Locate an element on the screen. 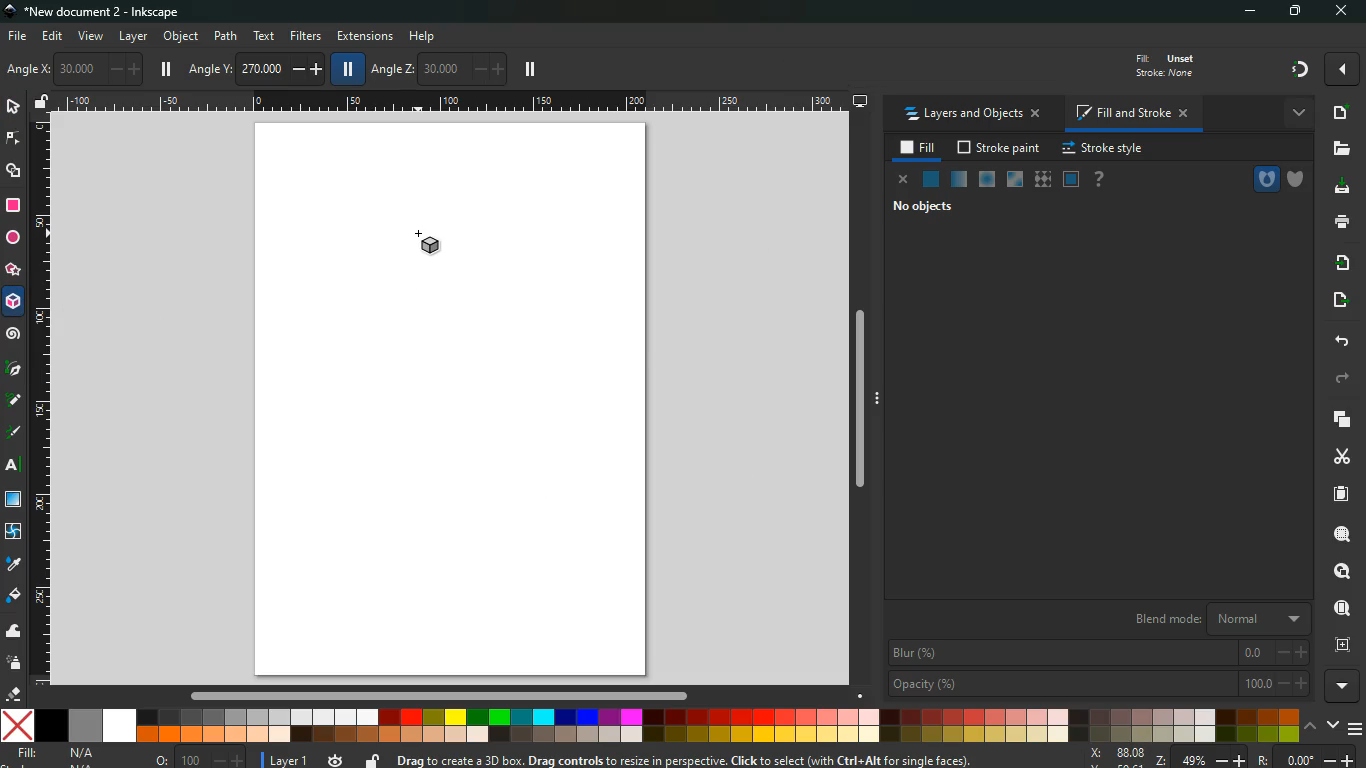  send is located at coordinates (1335, 301).